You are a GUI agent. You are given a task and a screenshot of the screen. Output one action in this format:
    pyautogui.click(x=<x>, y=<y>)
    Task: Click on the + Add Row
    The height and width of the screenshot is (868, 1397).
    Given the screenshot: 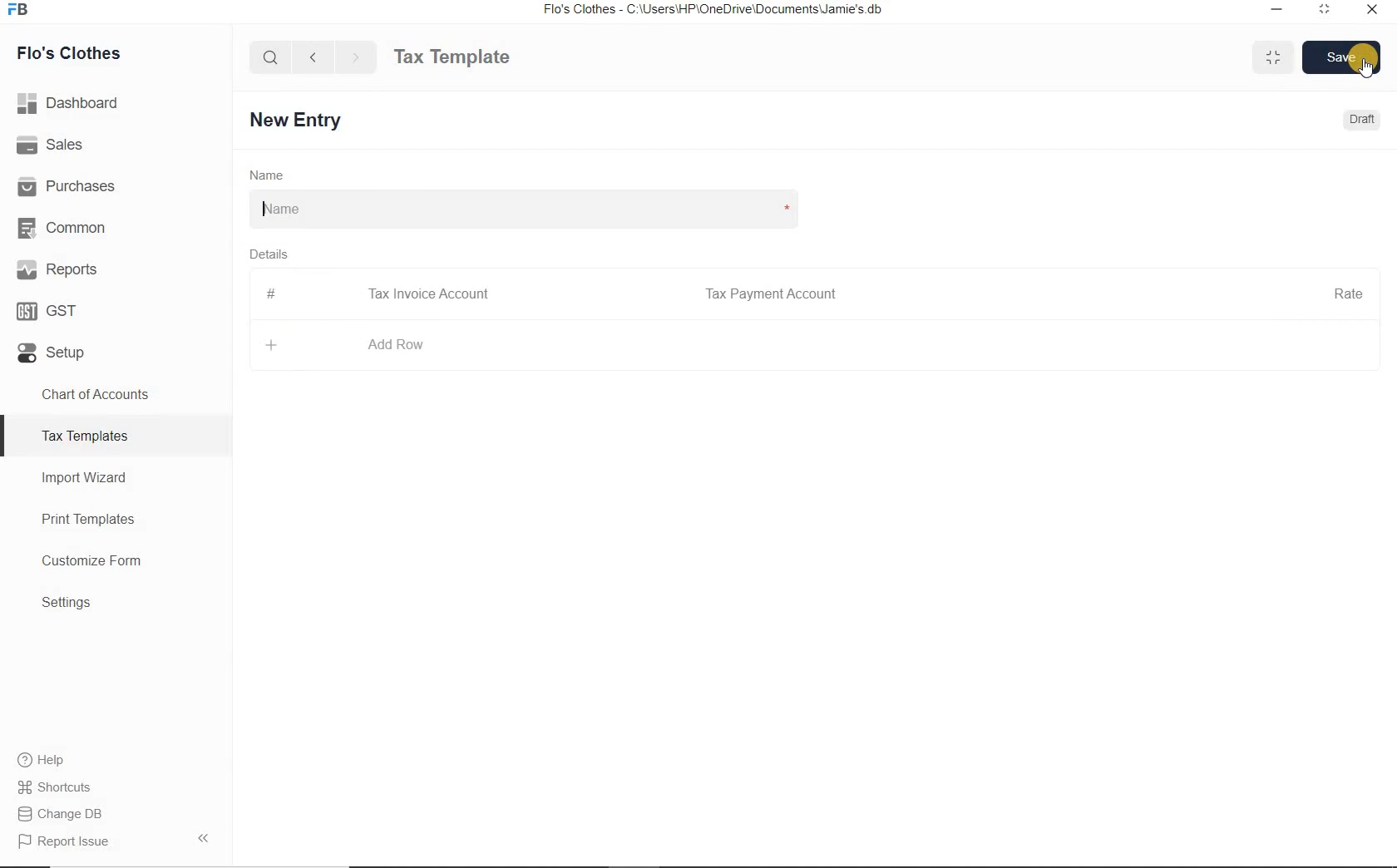 What is the action you would take?
    pyautogui.click(x=347, y=345)
    